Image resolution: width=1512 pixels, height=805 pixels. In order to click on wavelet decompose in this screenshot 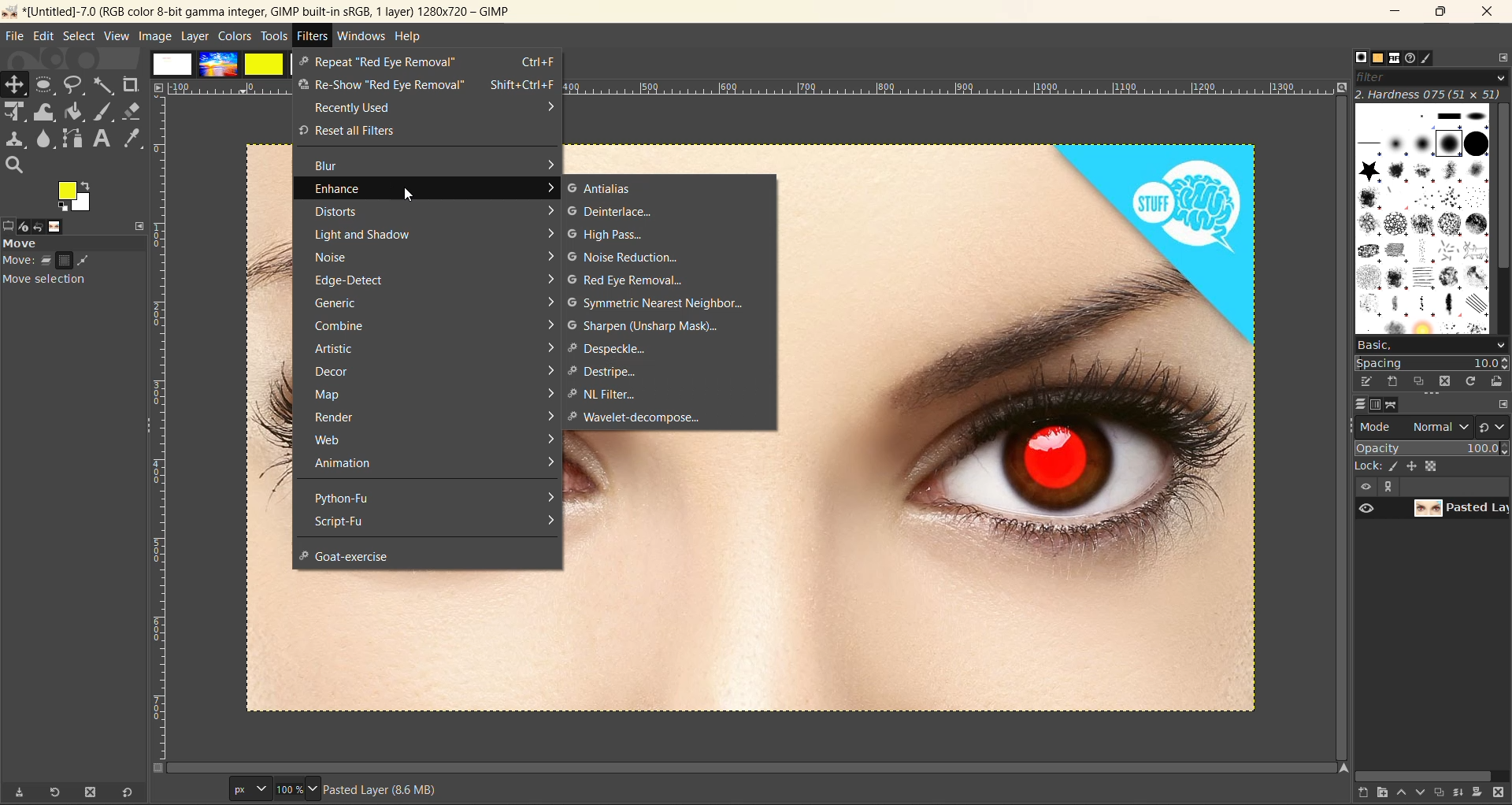, I will do `click(644, 415)`.